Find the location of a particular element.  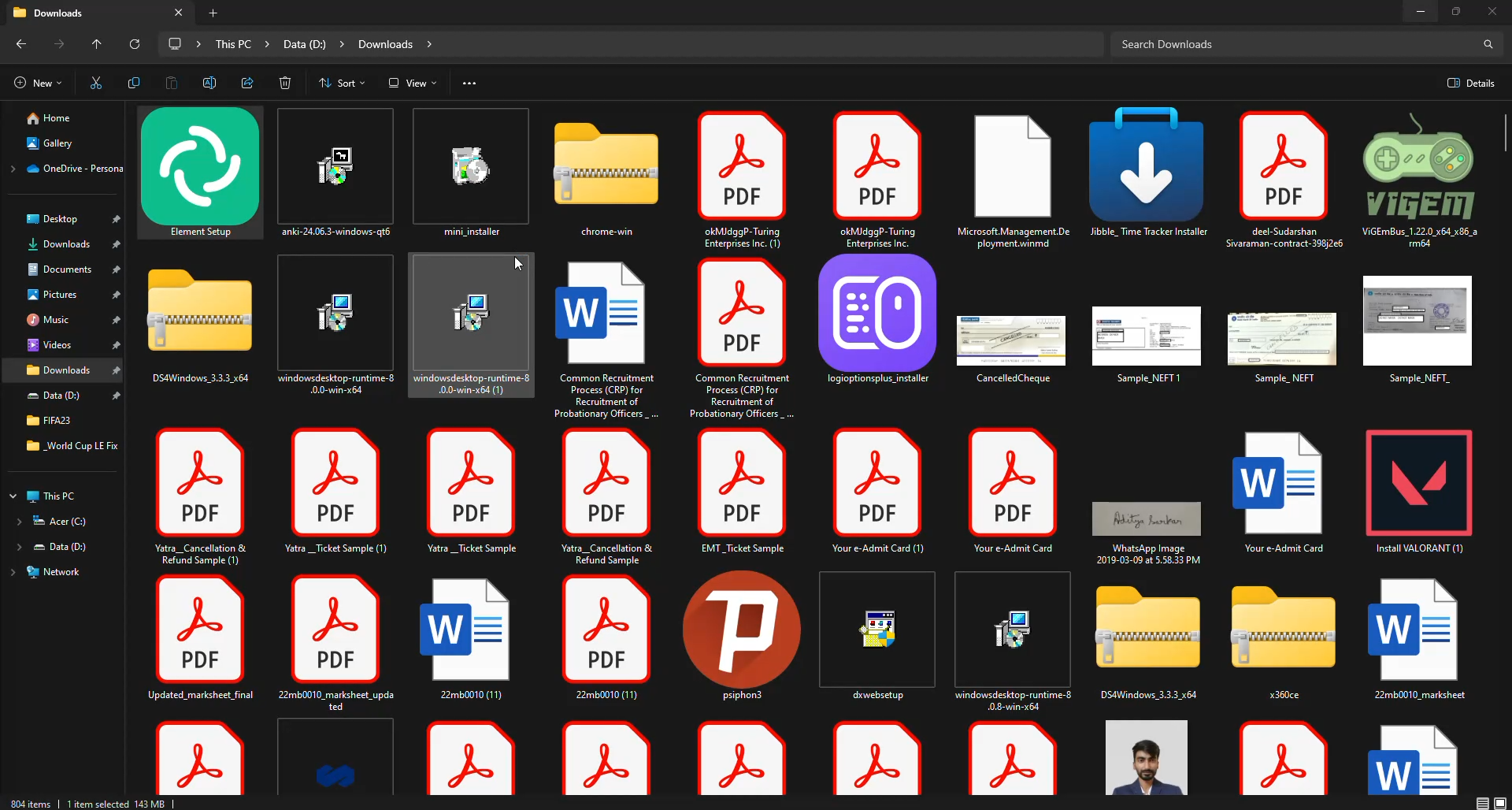

back is located at coordinates (24, 44).